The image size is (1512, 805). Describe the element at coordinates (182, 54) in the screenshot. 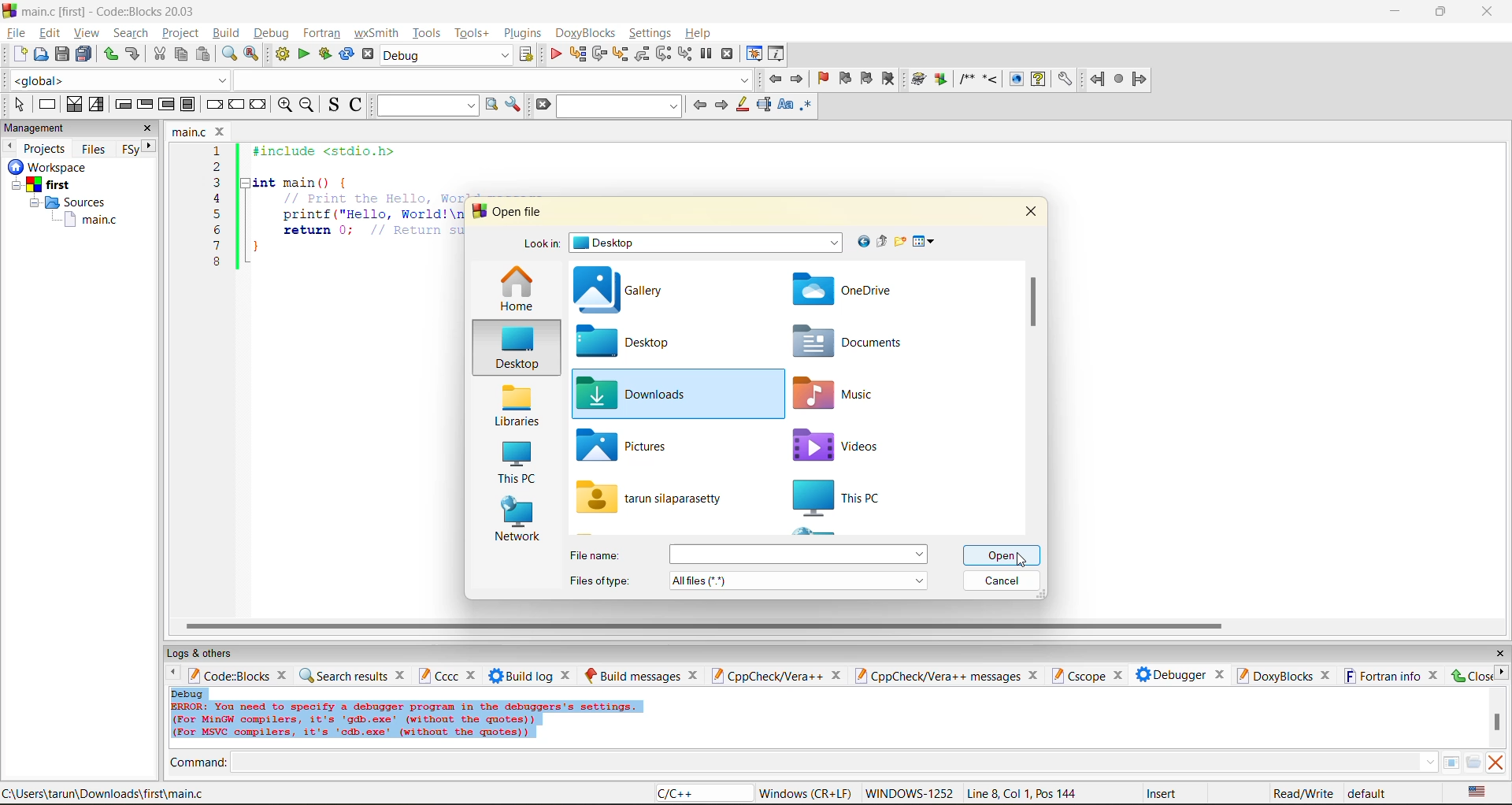

I see `copy` at that location.